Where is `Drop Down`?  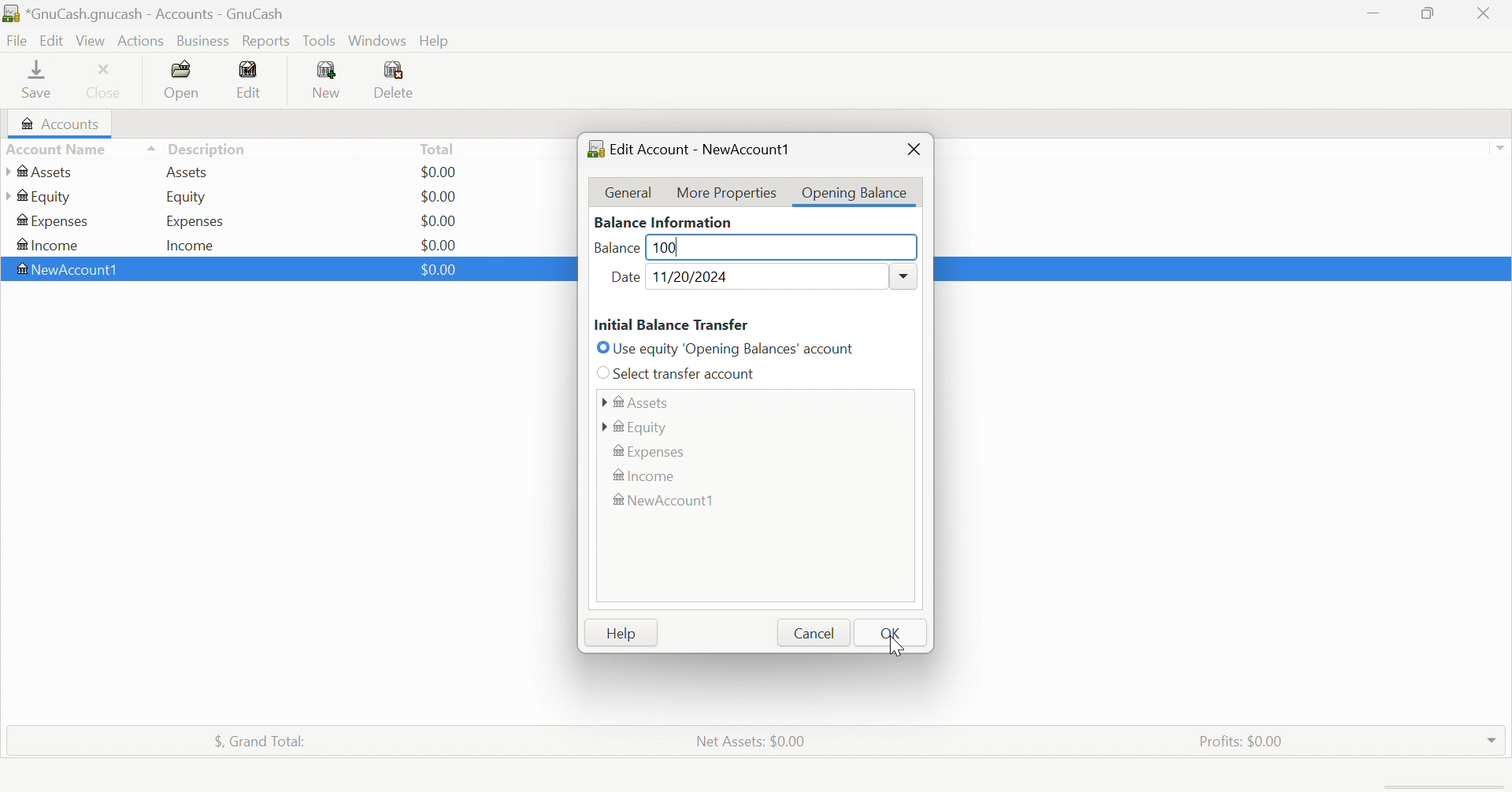 Drop Down is located at coordinates (903, 274).